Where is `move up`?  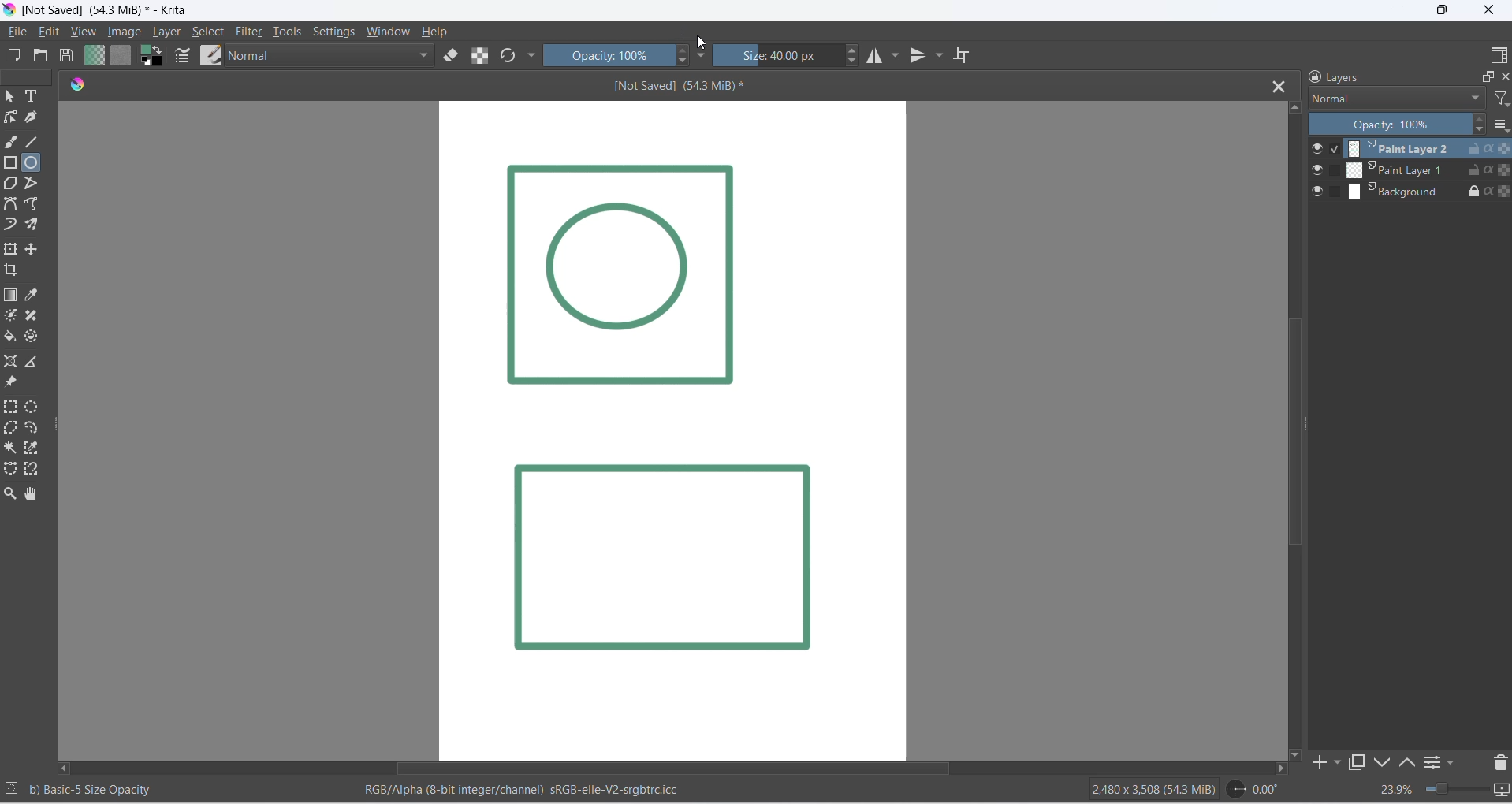
move up is located at coordinates (1406, 762).